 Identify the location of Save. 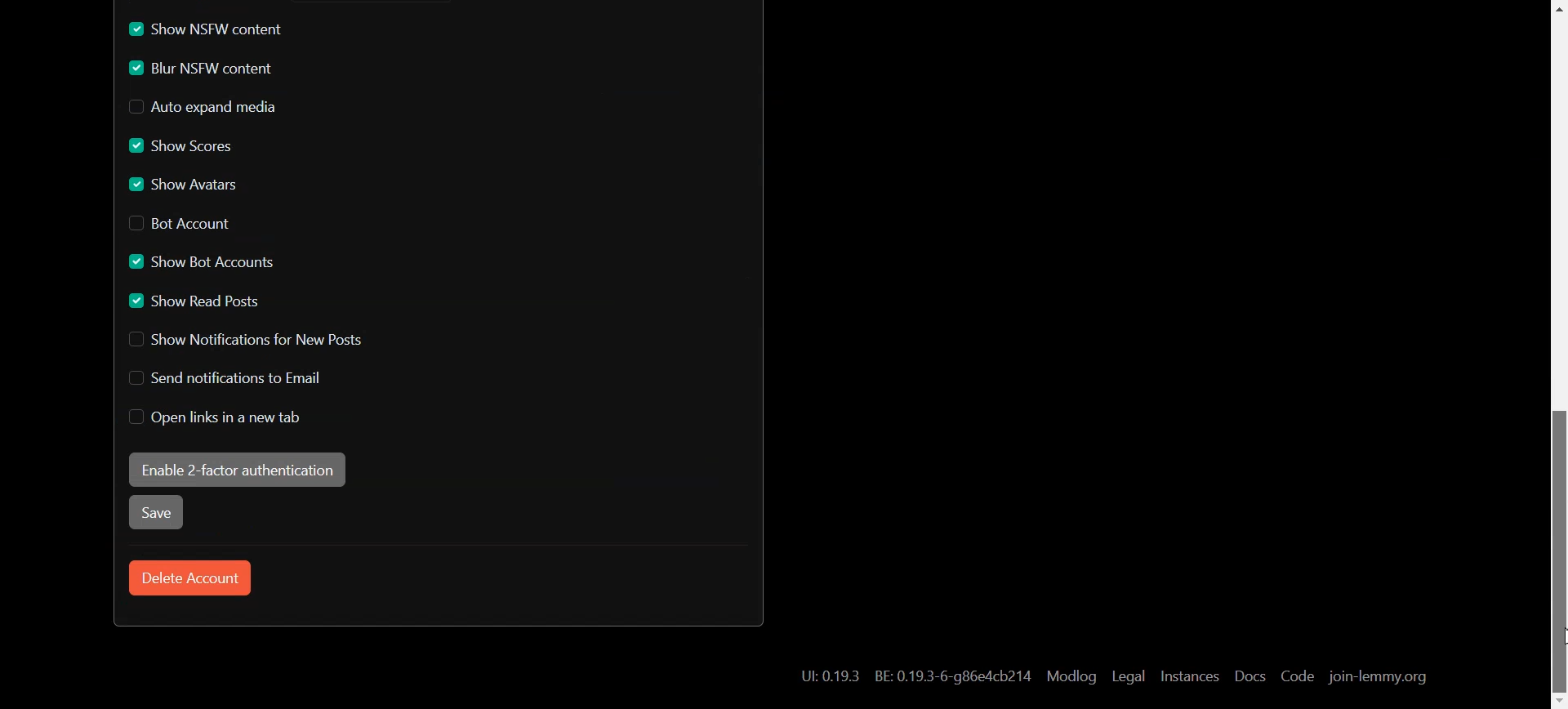
(158, 511).